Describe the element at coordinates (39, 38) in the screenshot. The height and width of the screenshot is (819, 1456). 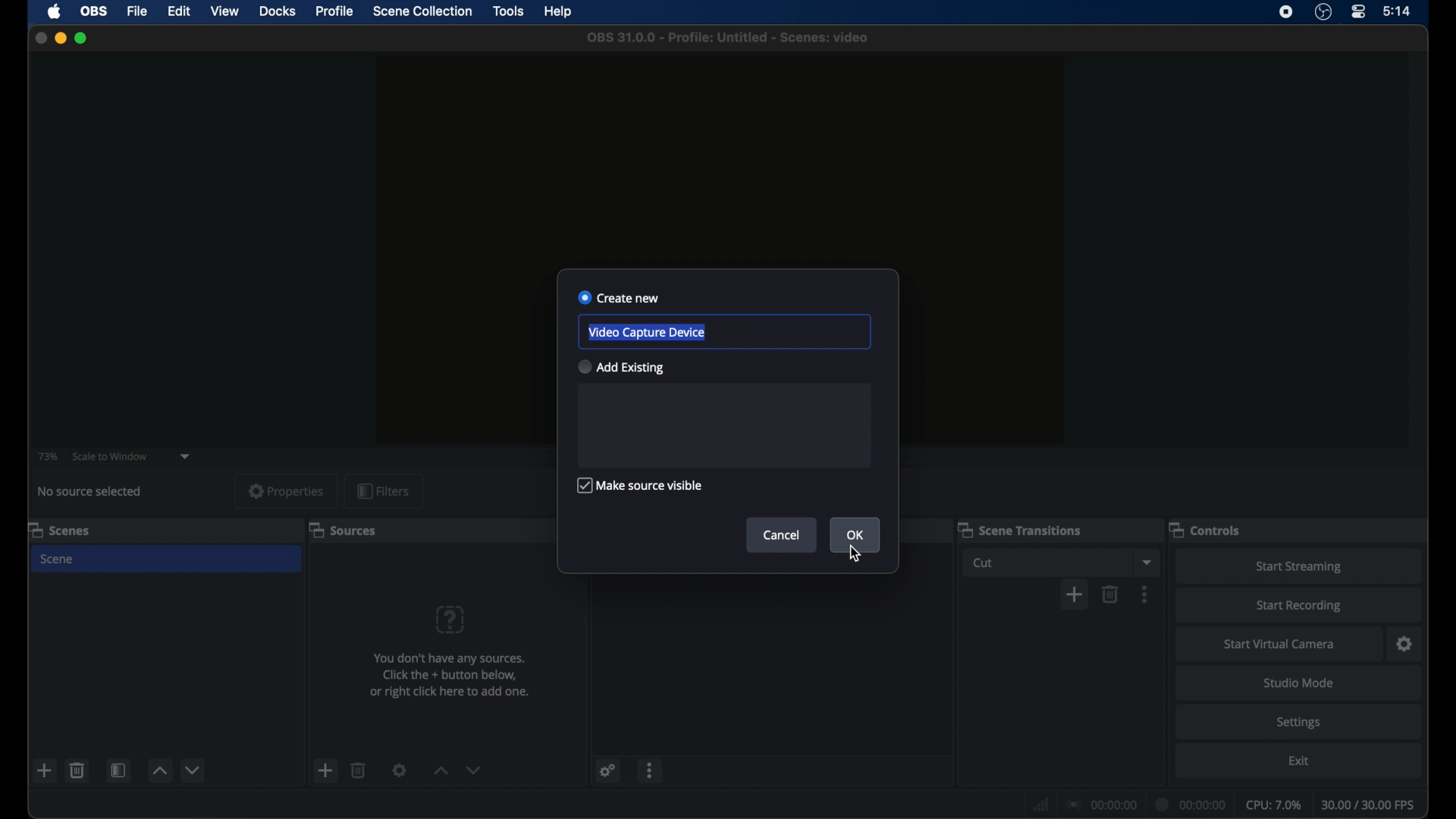
I see `close` at that location.